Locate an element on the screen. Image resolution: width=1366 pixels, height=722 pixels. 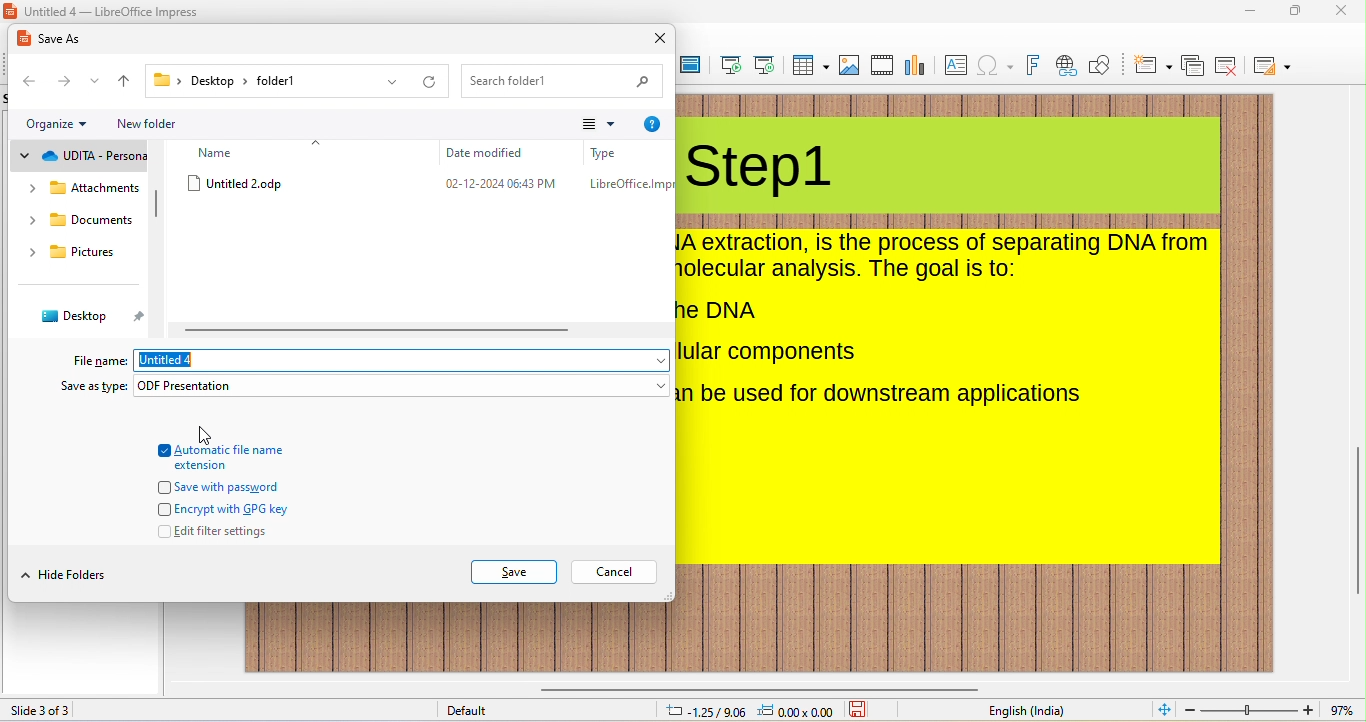
fit to current slide is located at coordinates (1160, 710).